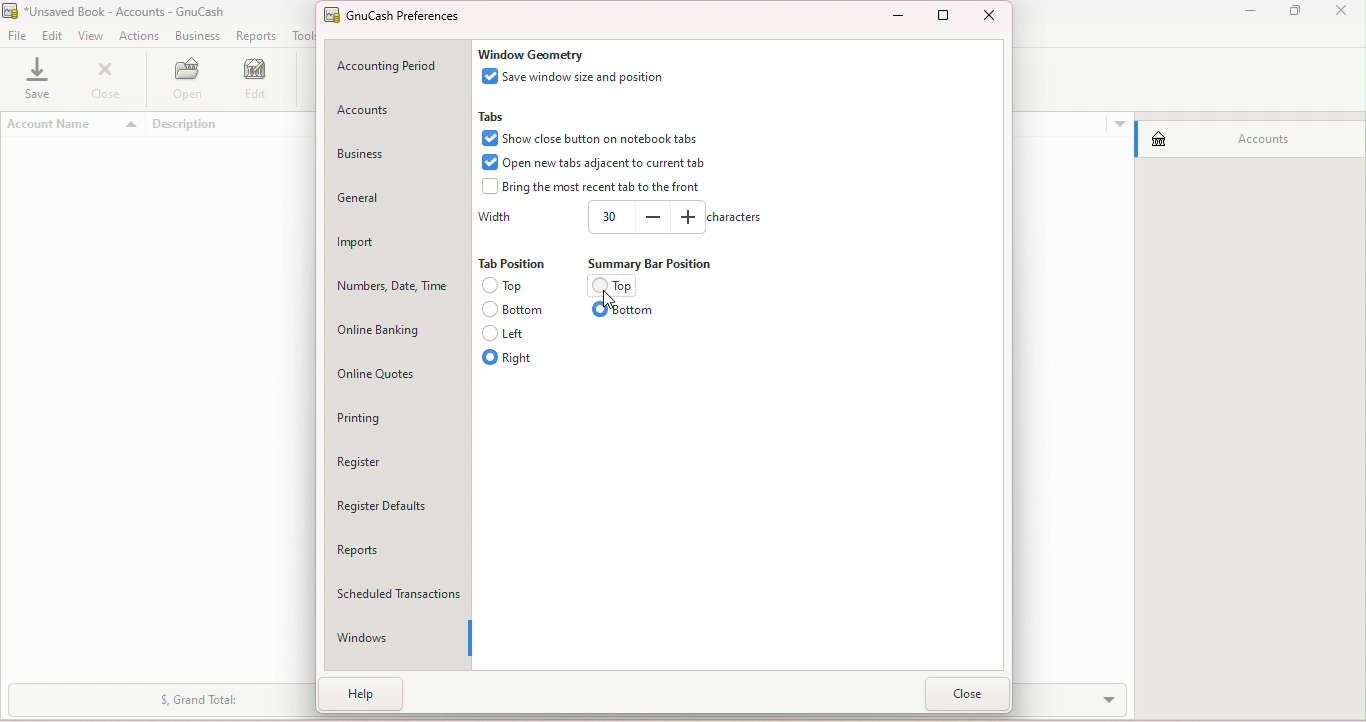 The width and height of the screenshot is (1366, 722). Describe the element at coordinates (390, 368) in the screenshot. I see `Online quotes` at that location.